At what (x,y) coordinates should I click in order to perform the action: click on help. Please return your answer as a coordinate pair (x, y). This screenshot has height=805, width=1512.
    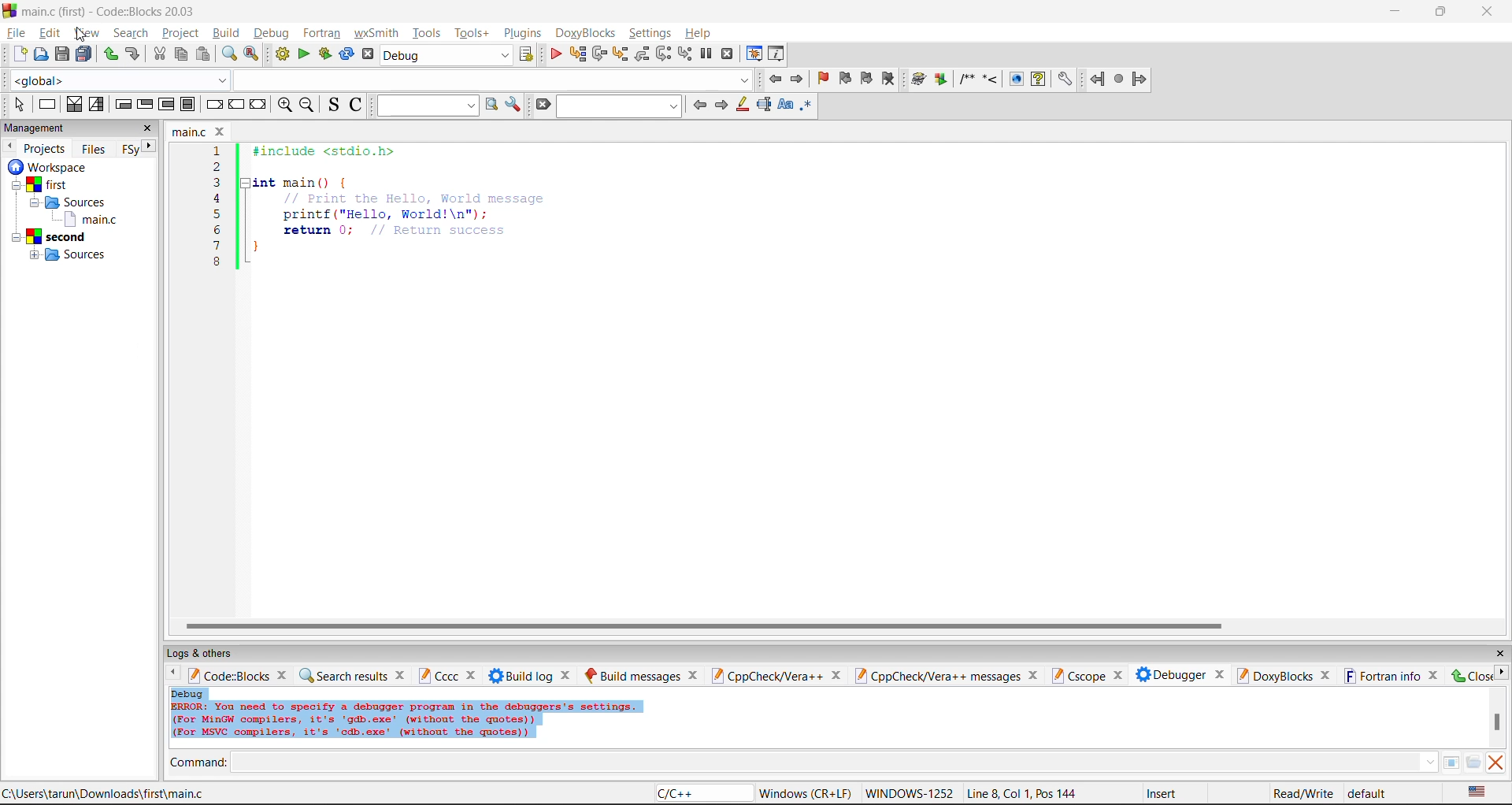
    Looking at the image, I should click on (1038, 80).